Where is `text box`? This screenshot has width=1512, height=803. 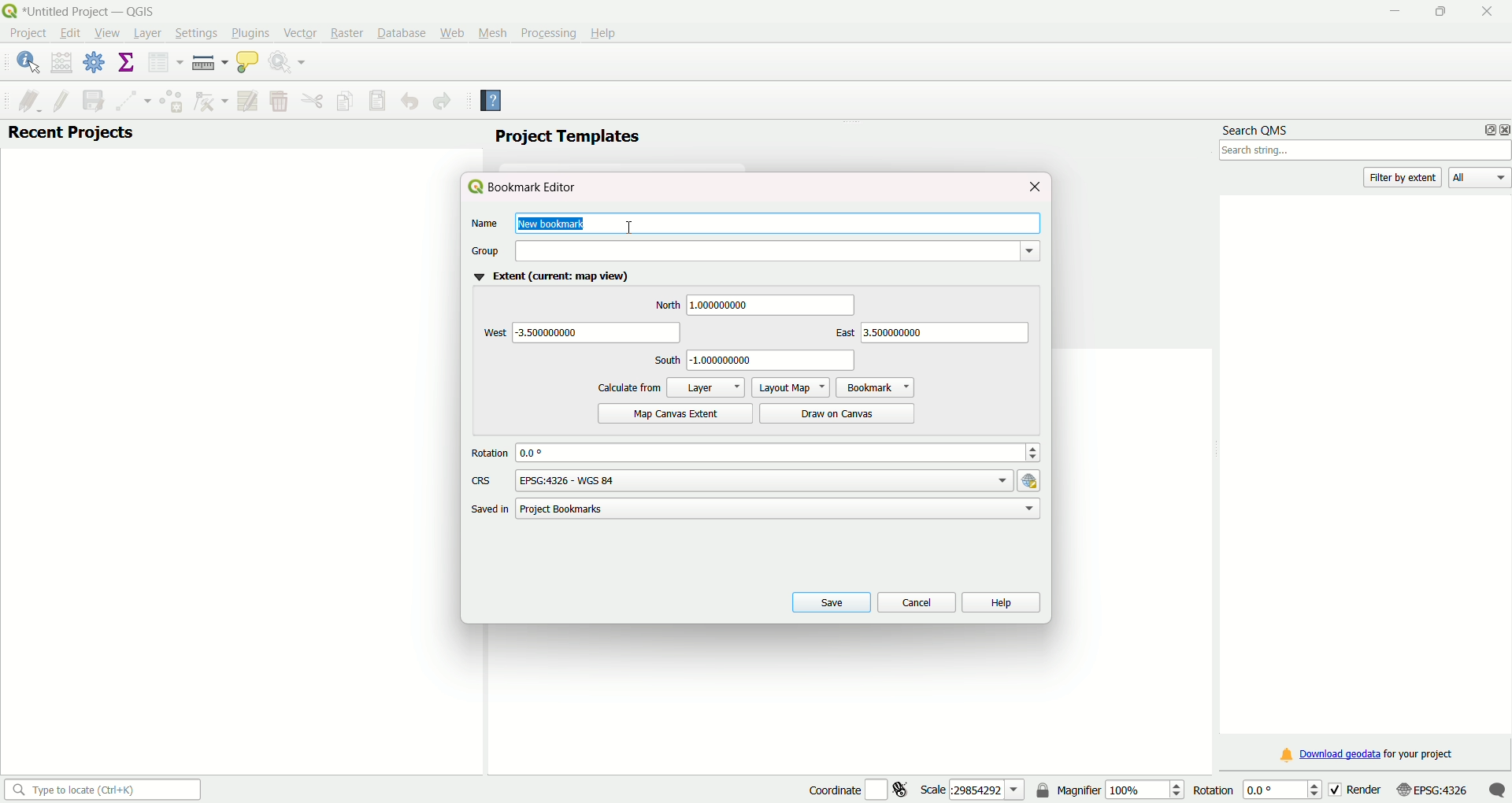 text box is located at coordinates (774, 361).